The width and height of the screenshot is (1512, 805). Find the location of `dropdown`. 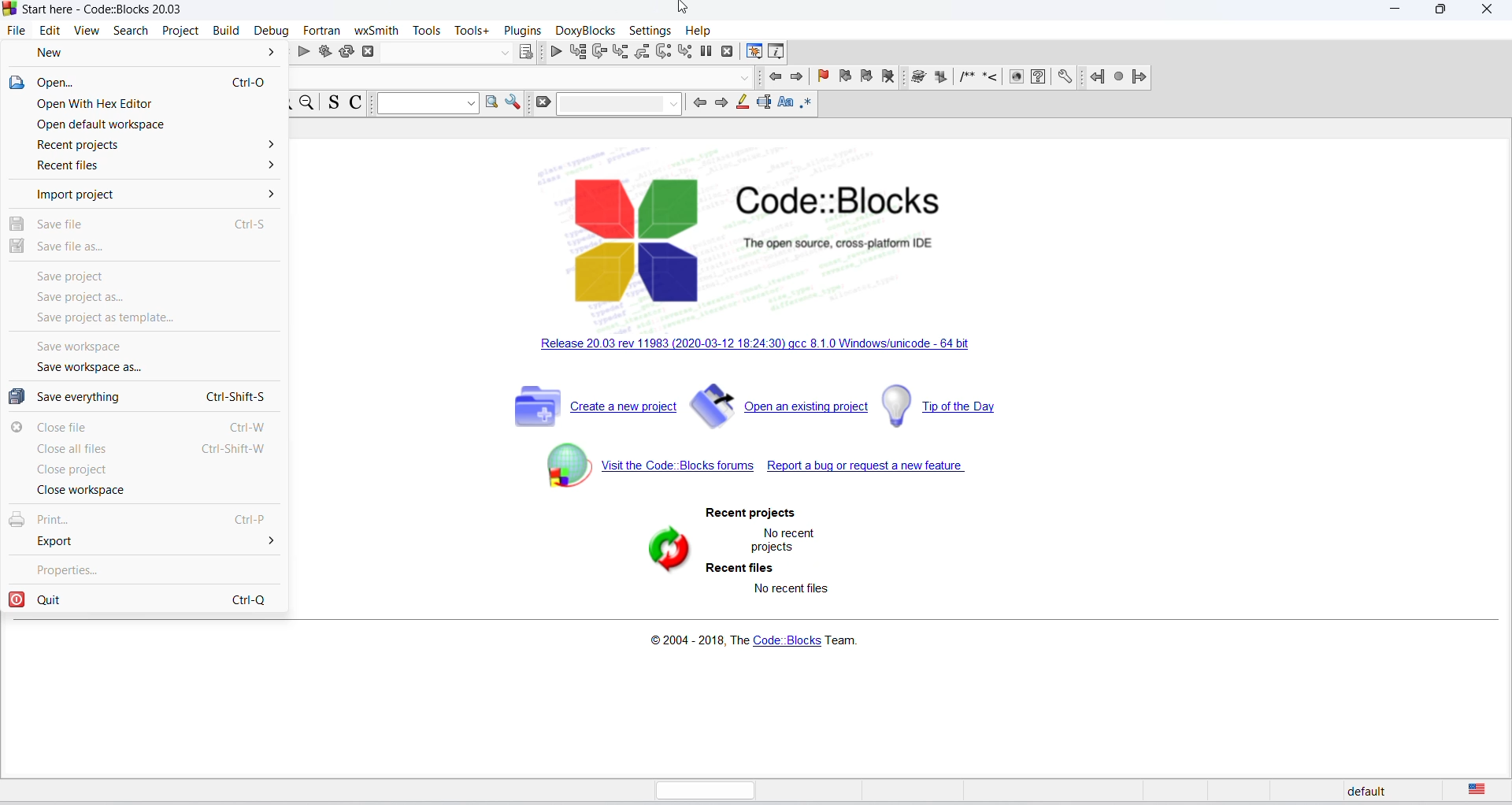

dropdown is located at coordinates (502, 54).